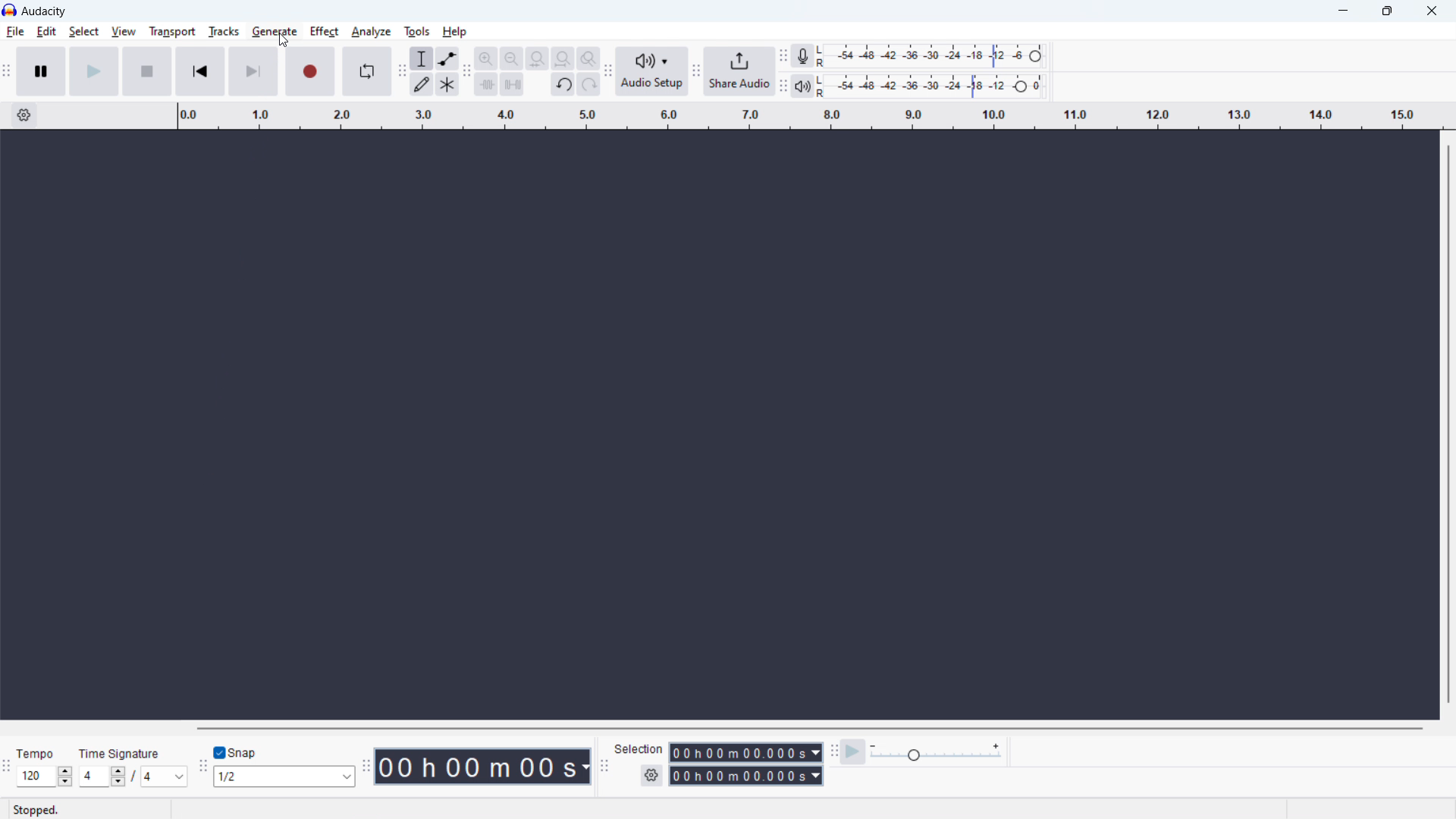  Describe the element at coordinates (1342, 11) in the screenshot. I see `minimize` at that location.